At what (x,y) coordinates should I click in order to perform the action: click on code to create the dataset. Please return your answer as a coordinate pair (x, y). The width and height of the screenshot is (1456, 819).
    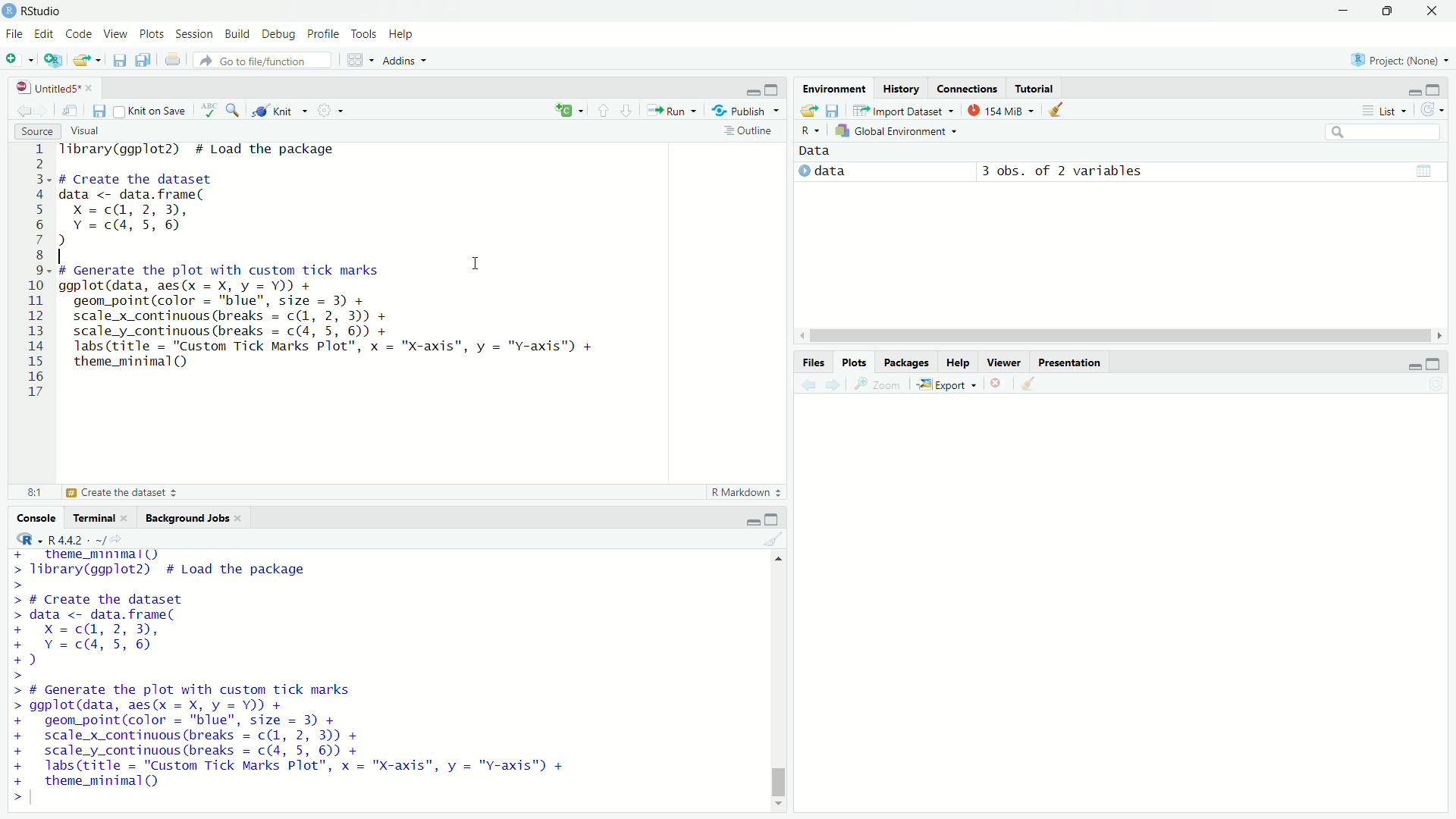
    Looking at the image, I should click on (190, 209).